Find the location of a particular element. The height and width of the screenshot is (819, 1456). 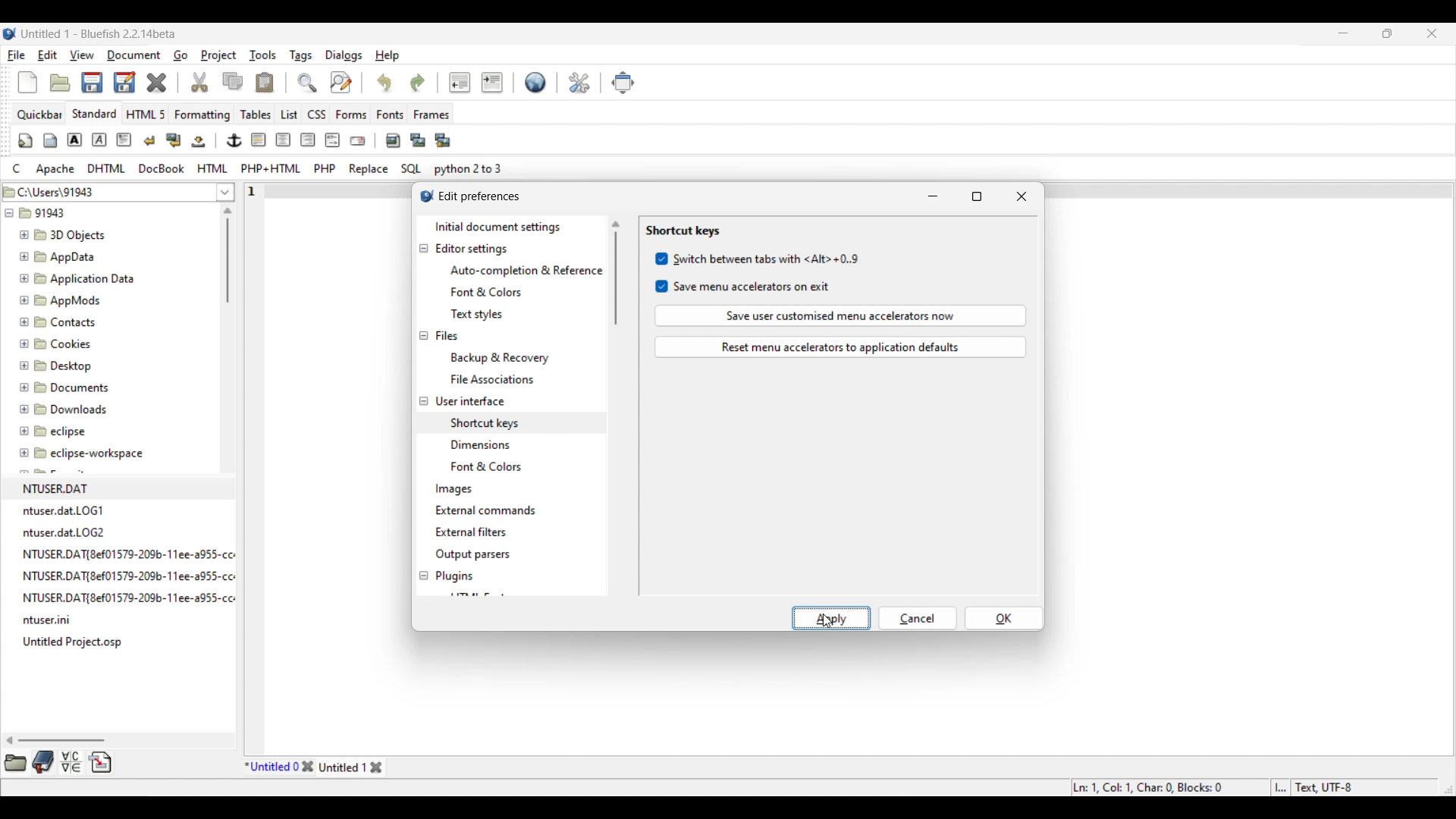

1 is located at coordinates (254, 188).